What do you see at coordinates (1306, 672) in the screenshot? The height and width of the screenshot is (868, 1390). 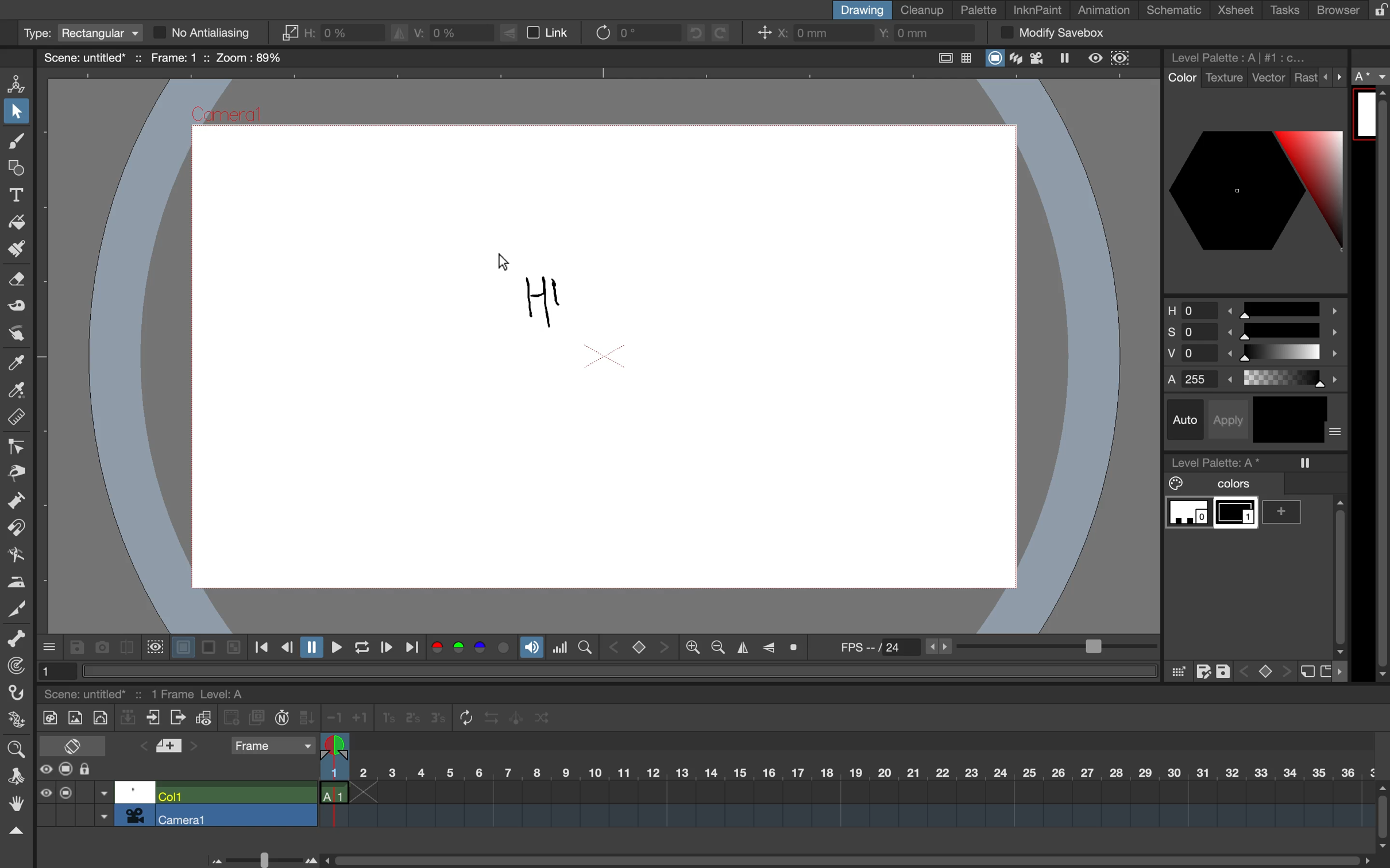 I see `new style` at bounding box center [1306, 672].